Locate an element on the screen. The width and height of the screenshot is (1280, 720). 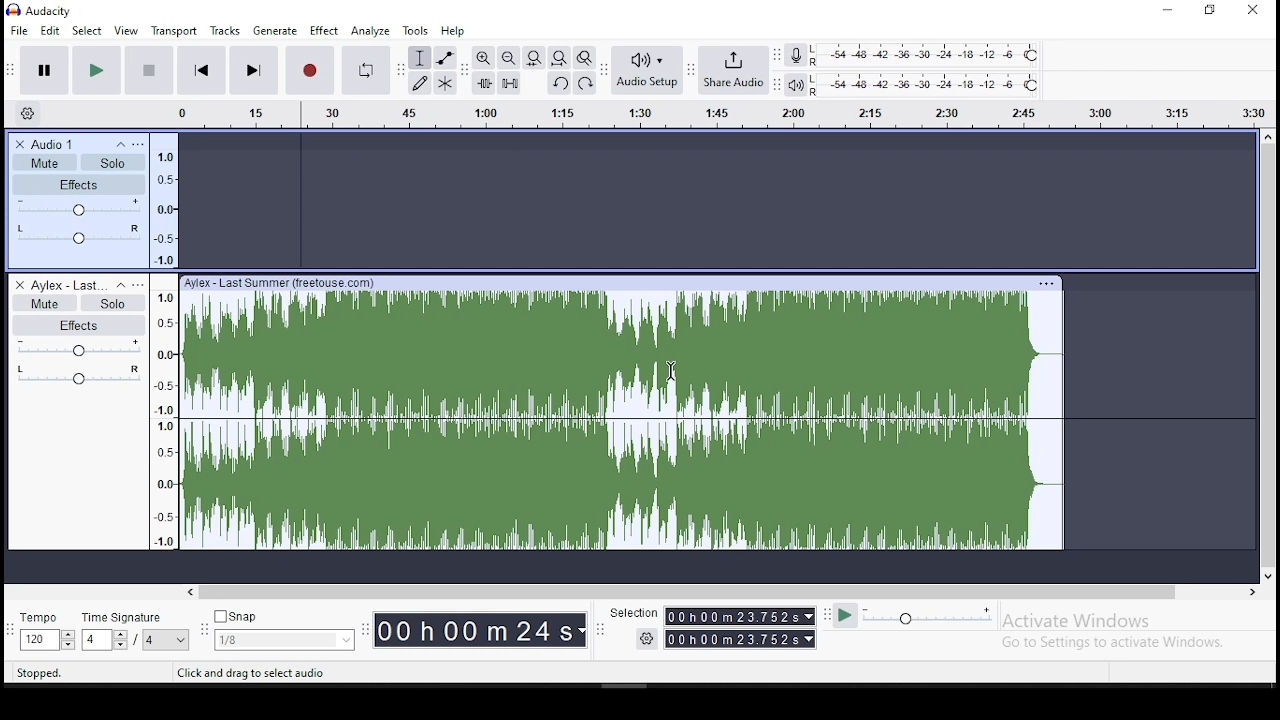
effects is located at coordinates (83, 185).